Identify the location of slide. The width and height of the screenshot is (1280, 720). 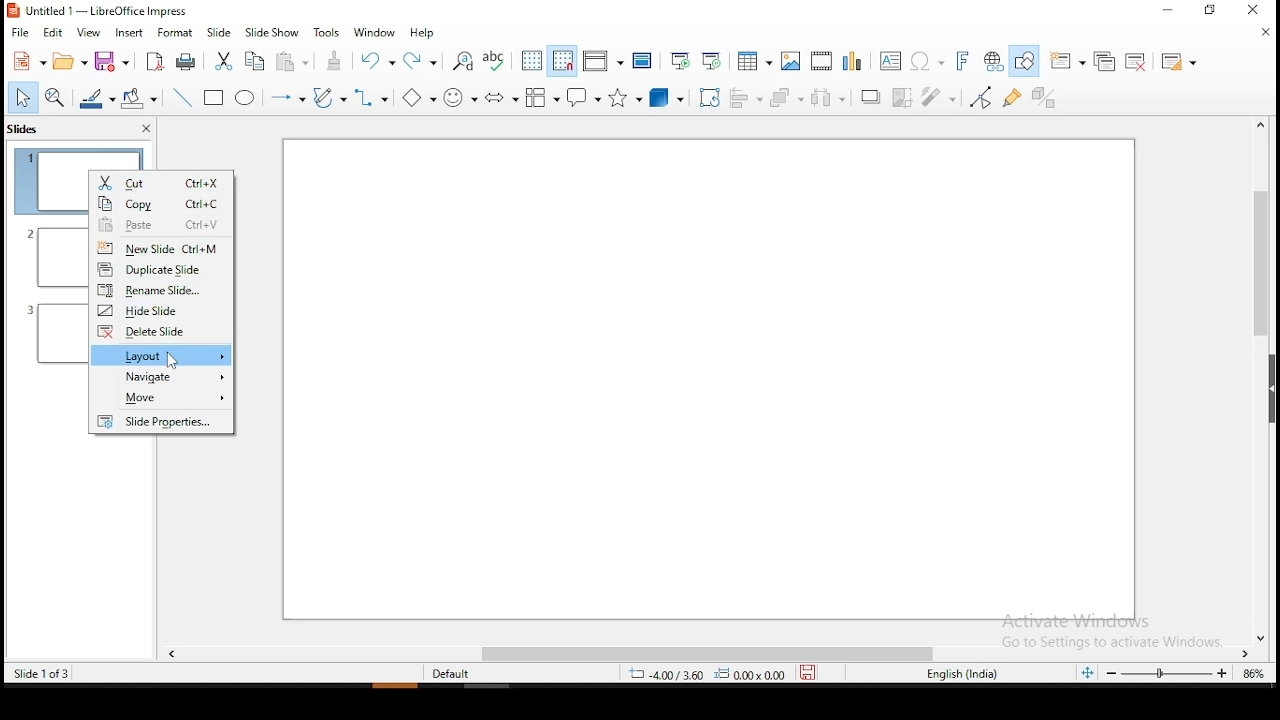
(162, 421).